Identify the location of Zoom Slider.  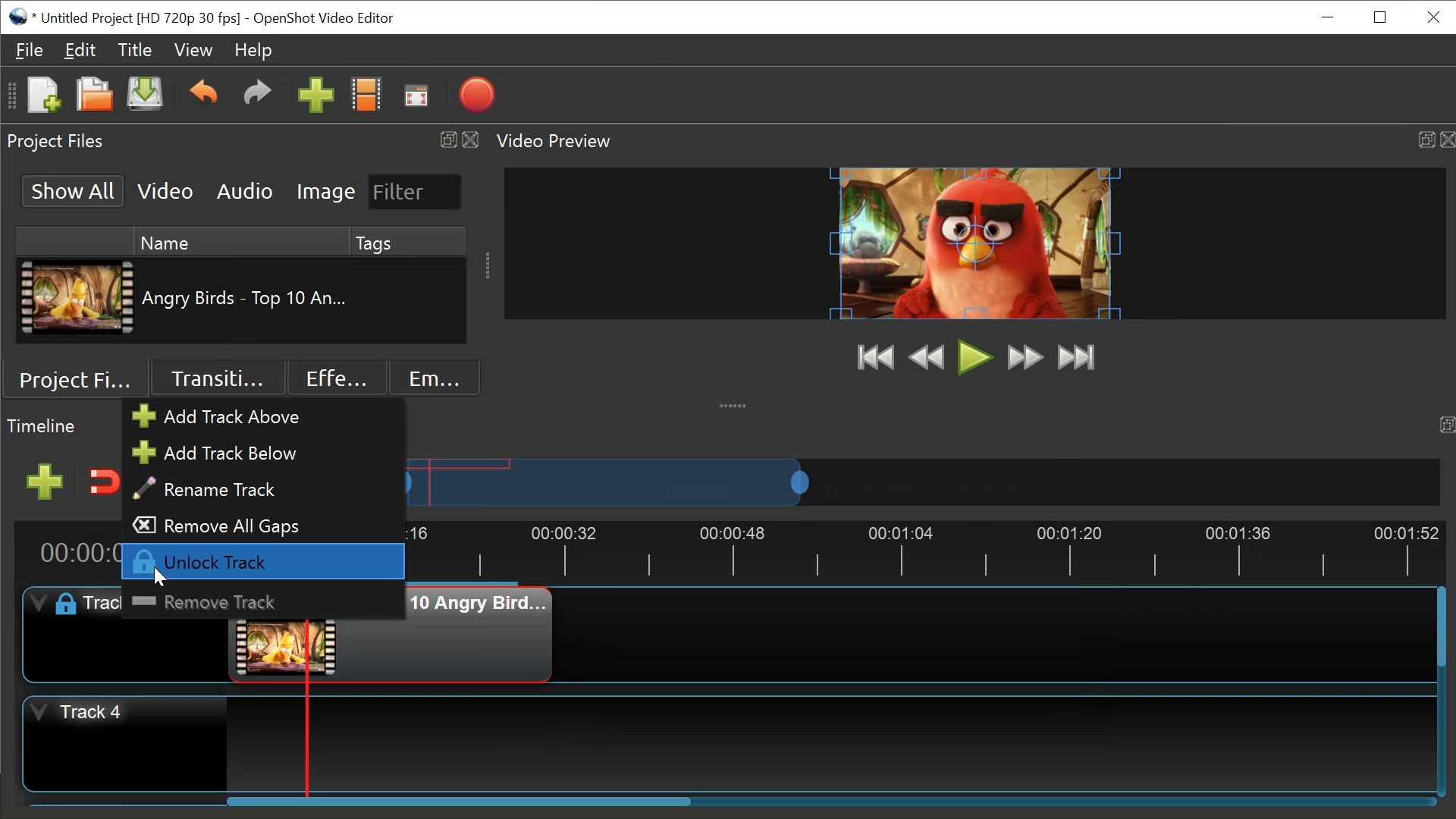
(921, 483).